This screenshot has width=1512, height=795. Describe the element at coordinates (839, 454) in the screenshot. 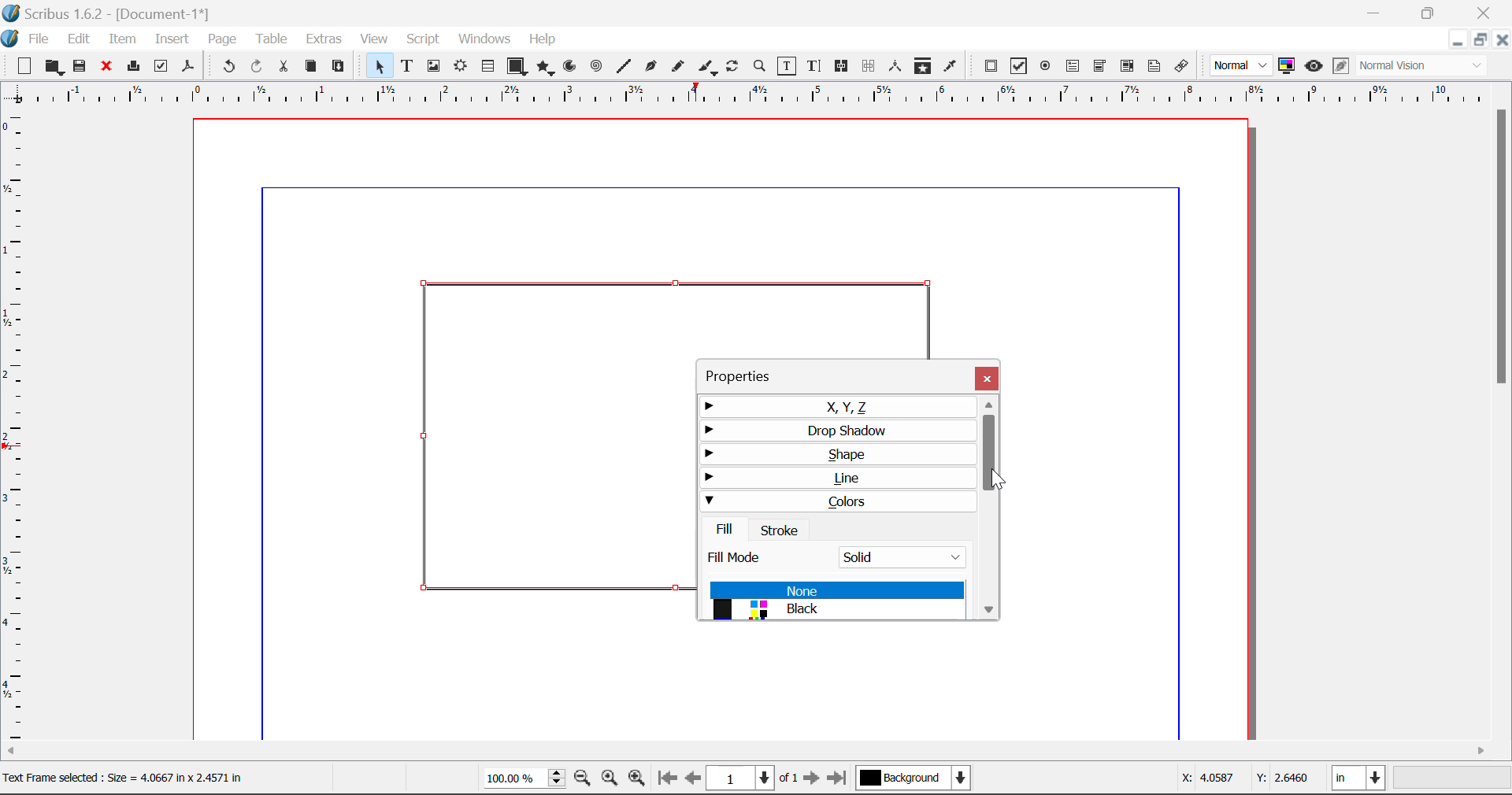

I see `Shape` at that location.